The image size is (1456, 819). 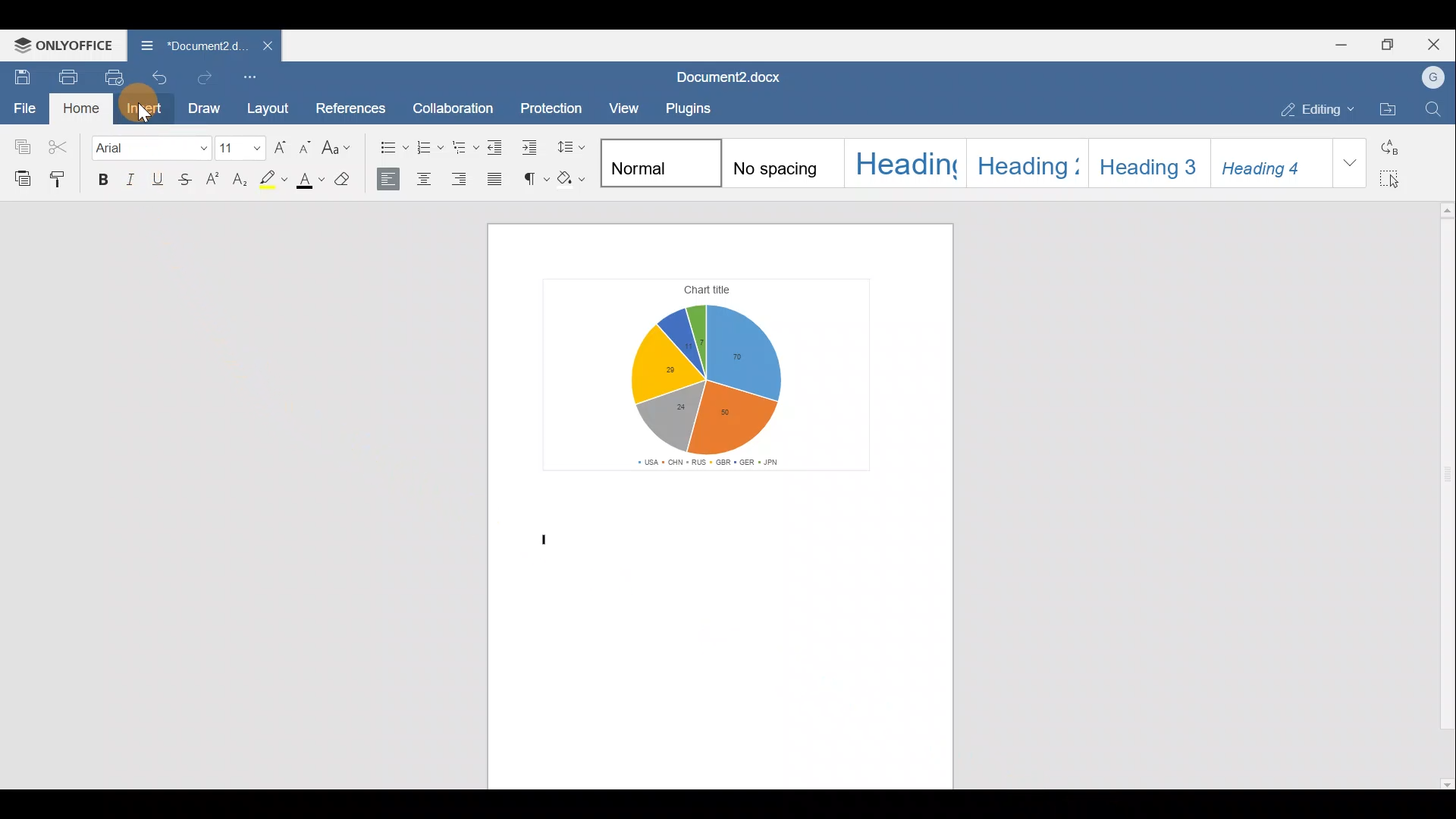 What do you see at coordinates (115, 77) in the screenshot?
I see `Quick print` at bounding box center [115, 77].